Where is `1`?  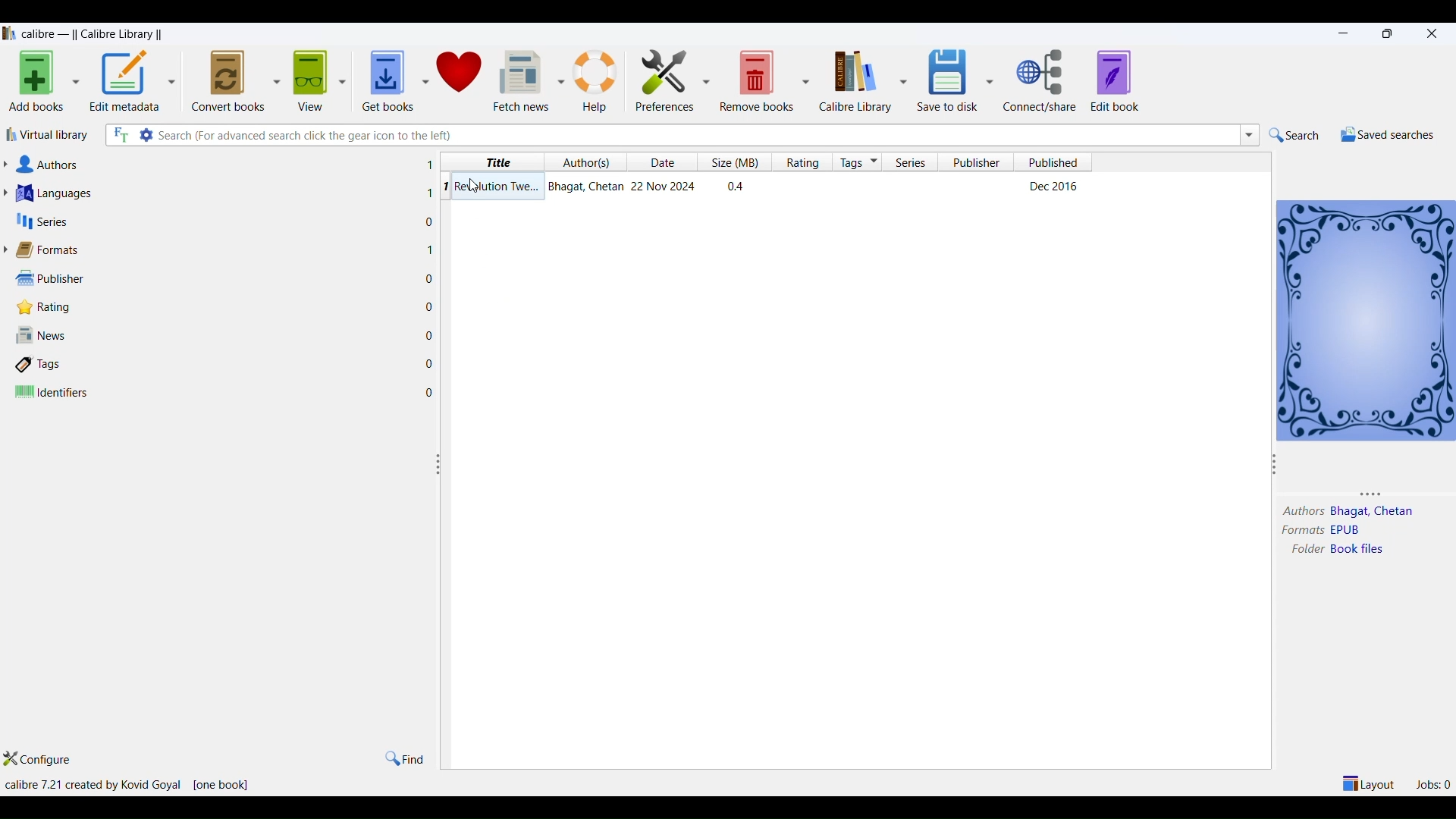
1 is located at coordinates (431, 250).